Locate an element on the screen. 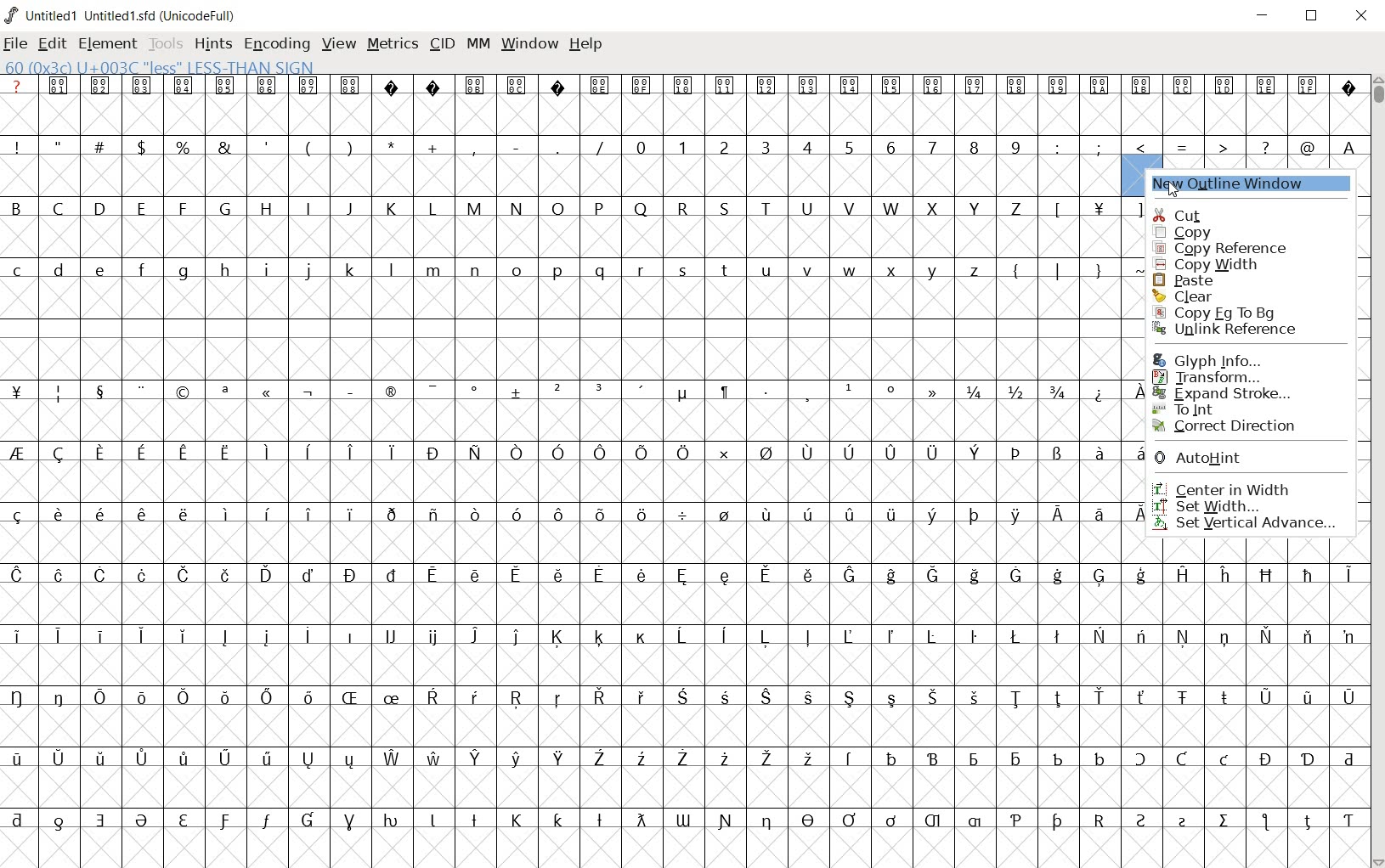  empty cells is located at coordinates (574, 358).